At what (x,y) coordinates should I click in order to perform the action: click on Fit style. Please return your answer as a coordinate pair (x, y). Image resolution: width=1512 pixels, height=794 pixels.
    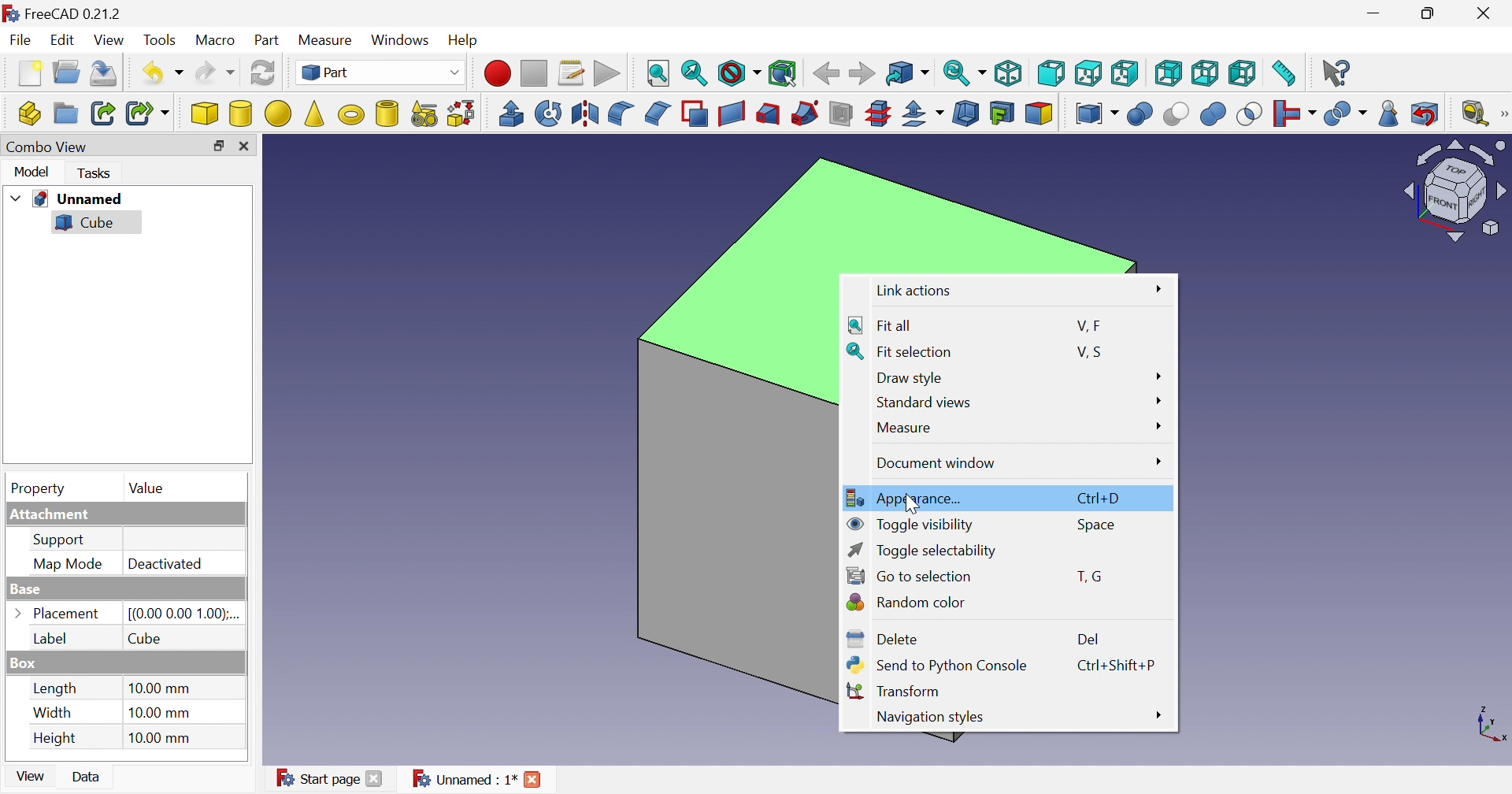
    Looking at the image, I should click on (659, 74).